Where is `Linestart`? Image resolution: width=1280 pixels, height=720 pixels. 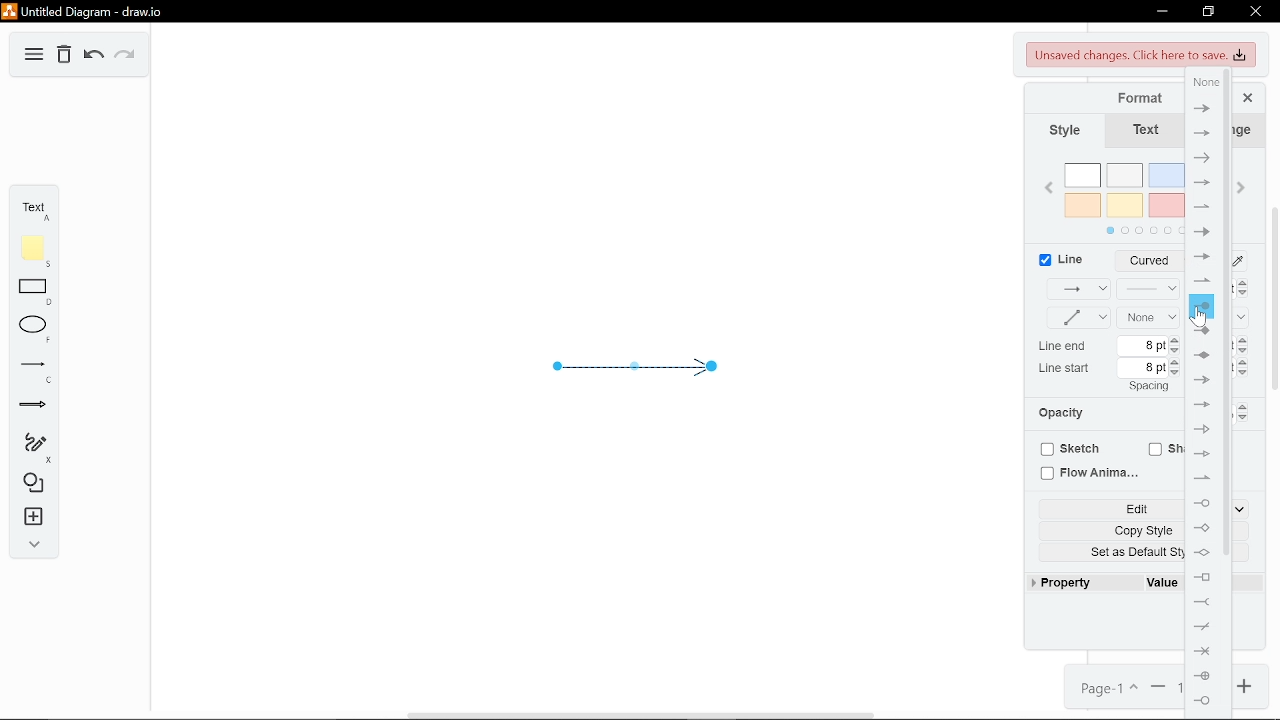 Linestart is located at coordinates (1150, 319).